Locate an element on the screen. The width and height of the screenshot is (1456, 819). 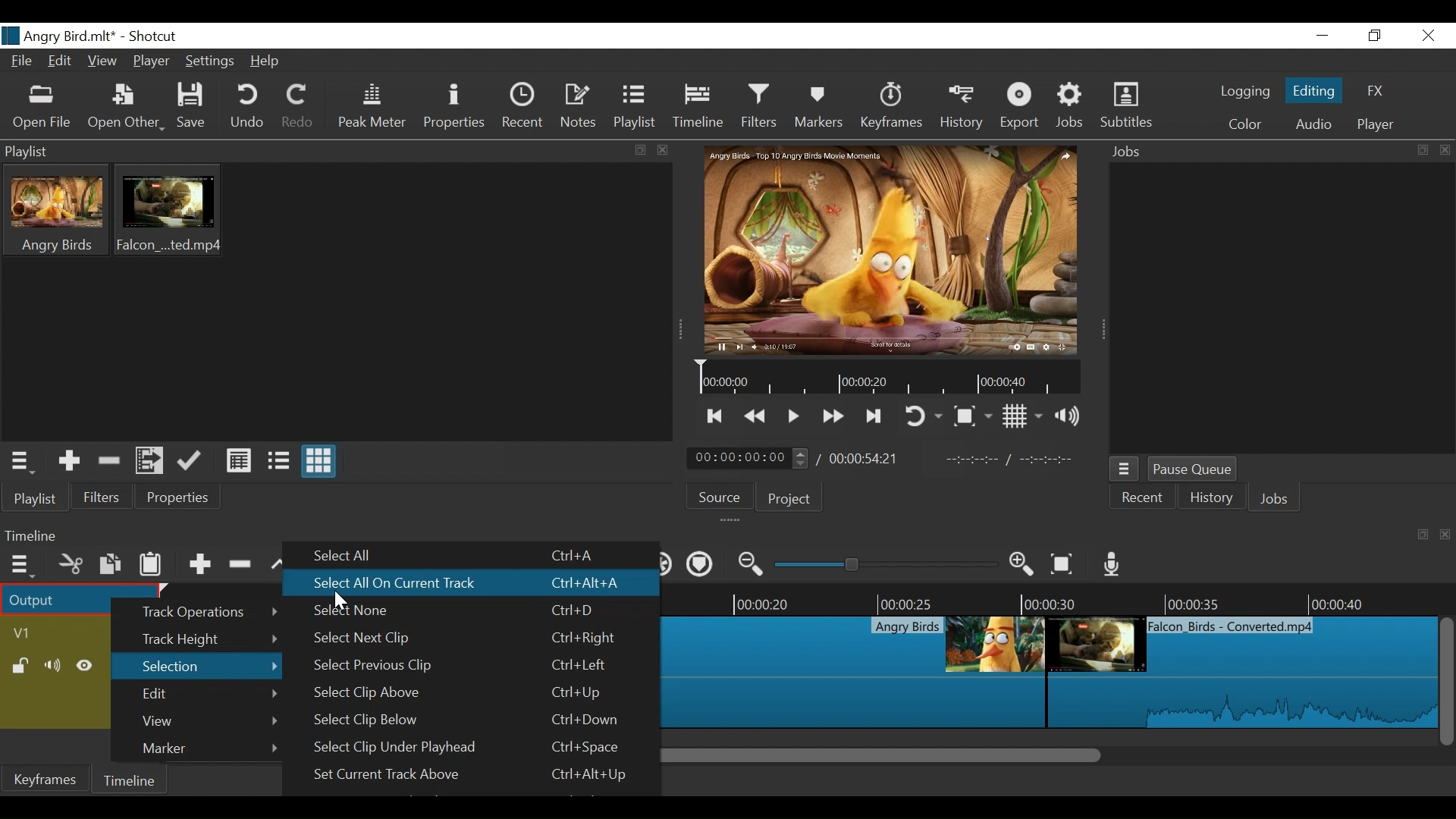
Clip is located at coordinates (169, 209).